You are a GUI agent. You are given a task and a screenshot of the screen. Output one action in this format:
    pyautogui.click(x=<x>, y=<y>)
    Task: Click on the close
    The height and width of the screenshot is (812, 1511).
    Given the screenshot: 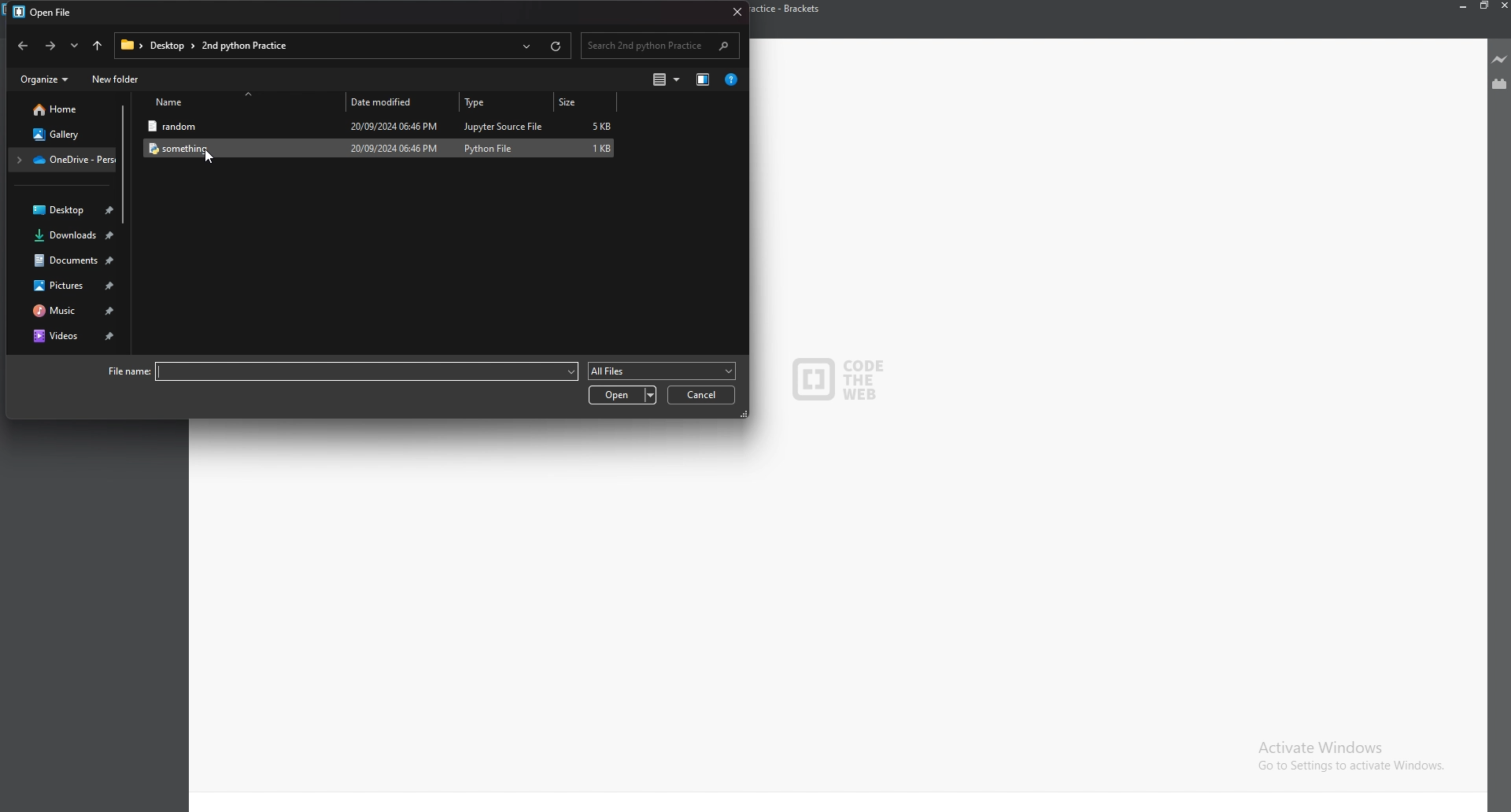 What is the action you would take?
    pyautogui.click(x=734, y=11)
    